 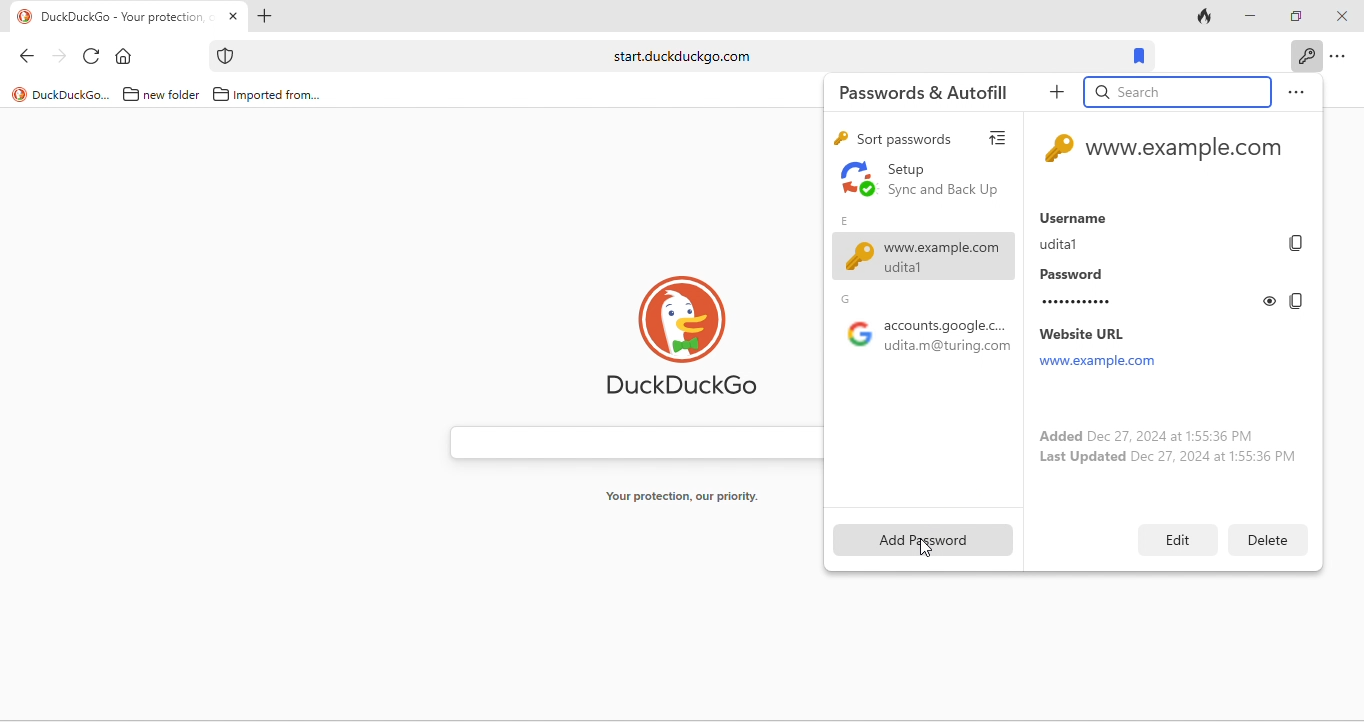 I want to click on password, so click(x=1073, y=274).